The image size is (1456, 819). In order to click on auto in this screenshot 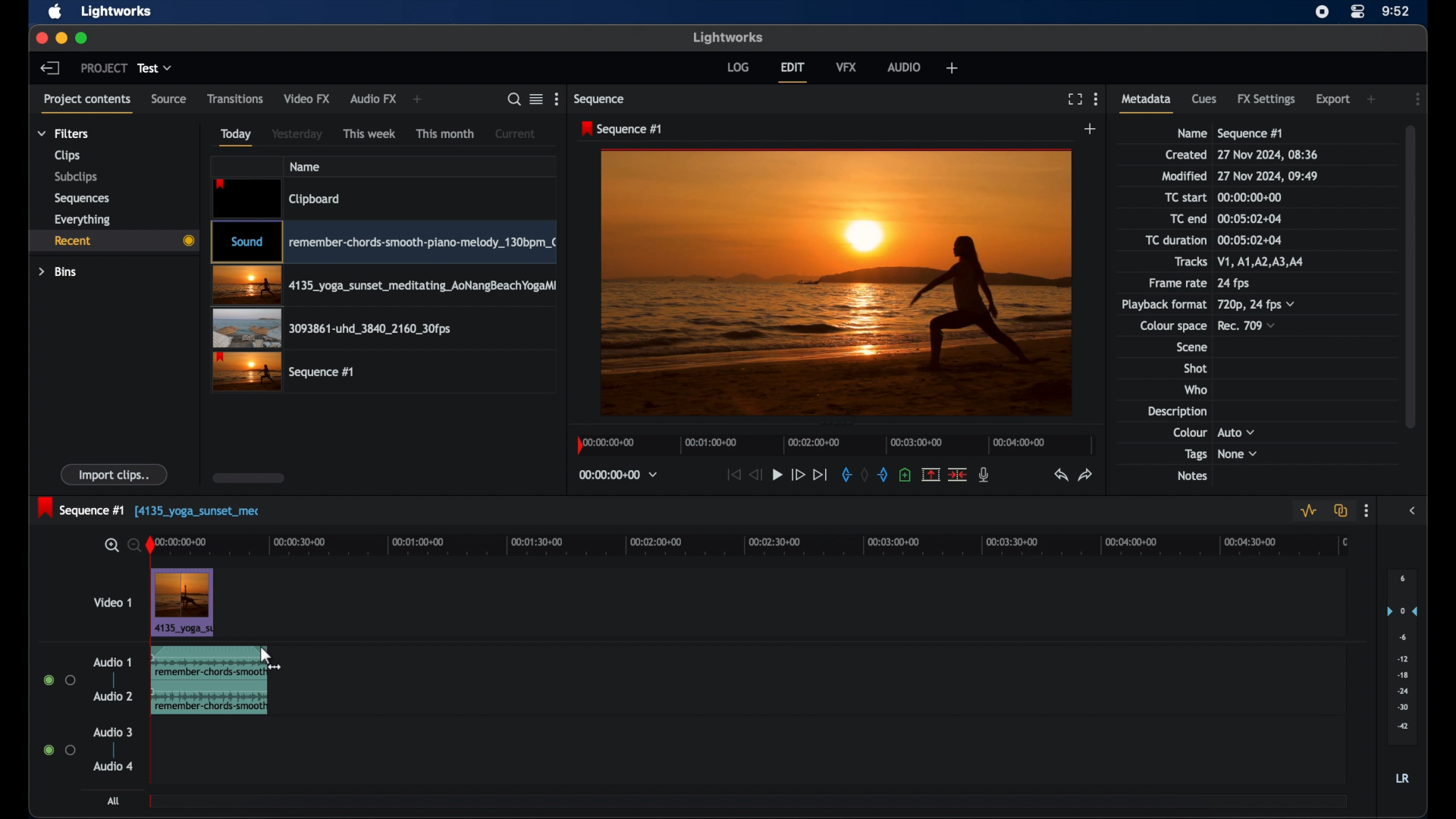, I will do `click(1237, 431)`.